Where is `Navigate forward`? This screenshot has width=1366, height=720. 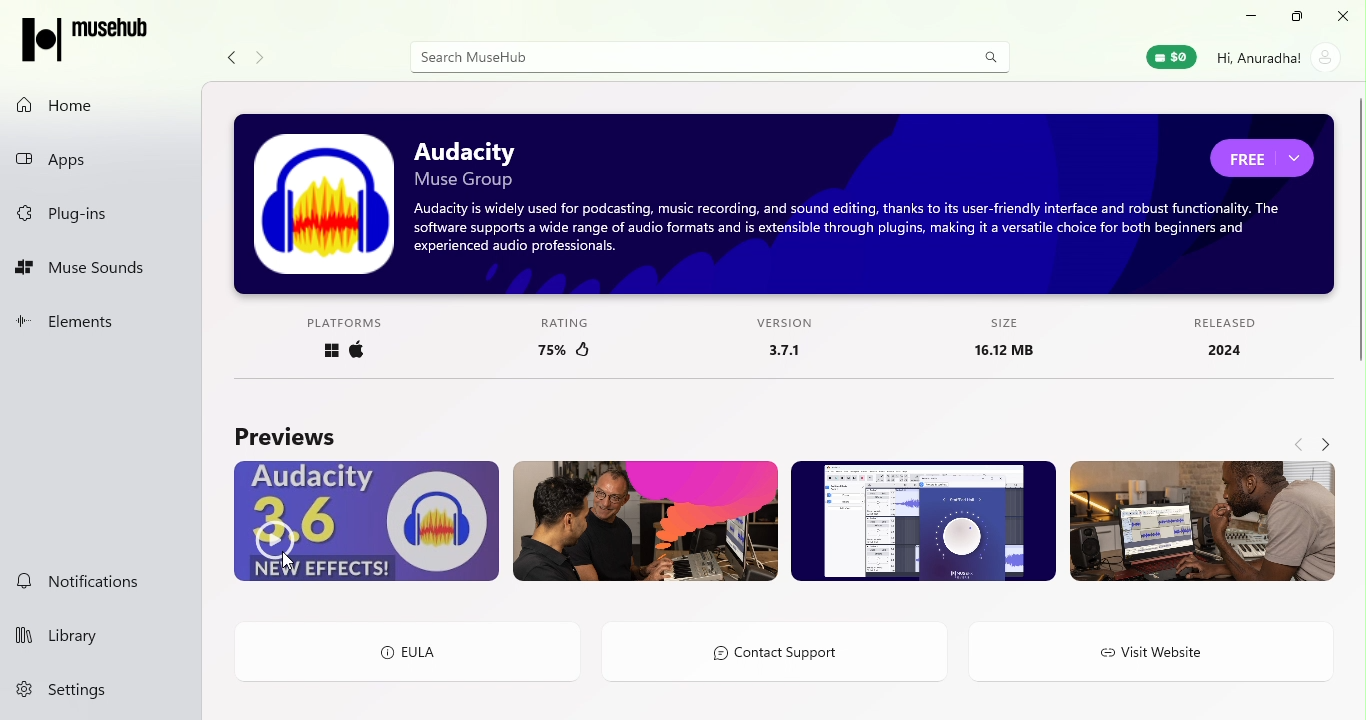 Navigate forward is located at coordinates (262, 58).